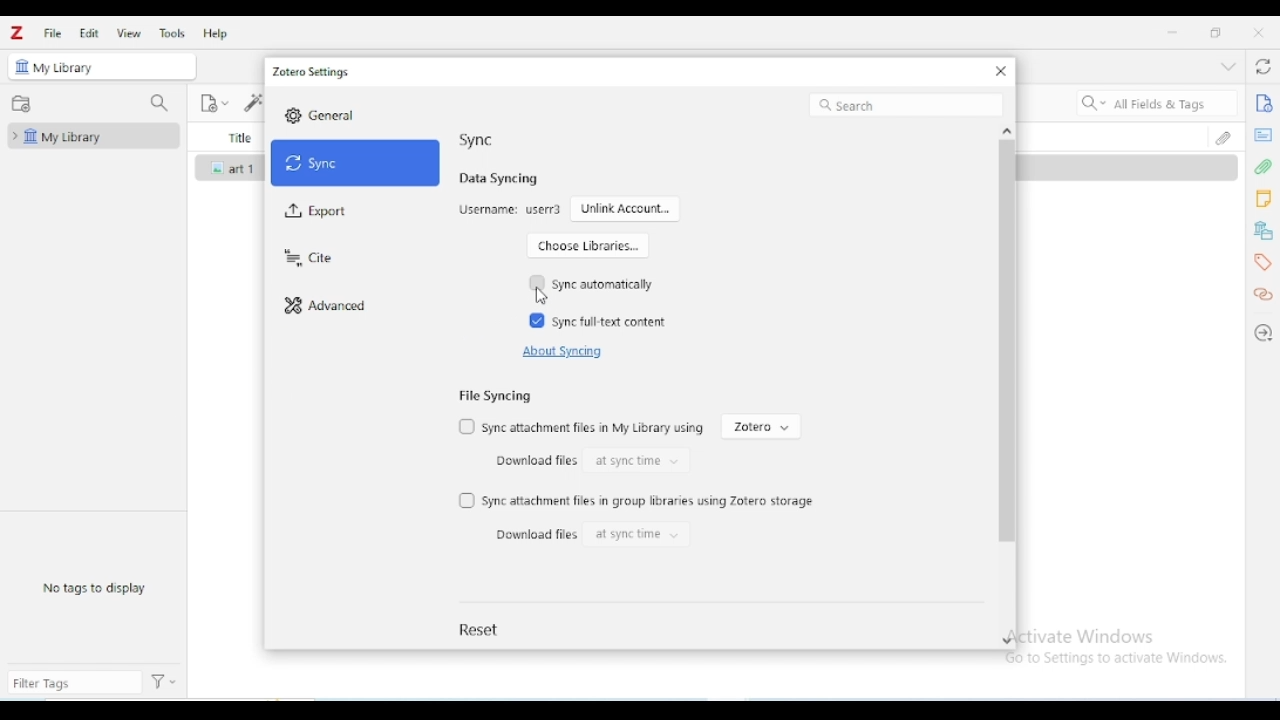 This screenshot has height=720, width=1280. Describe the element at coordinates (1006, 373) in the screenshot. I see `vertical scroll bar` at that location.